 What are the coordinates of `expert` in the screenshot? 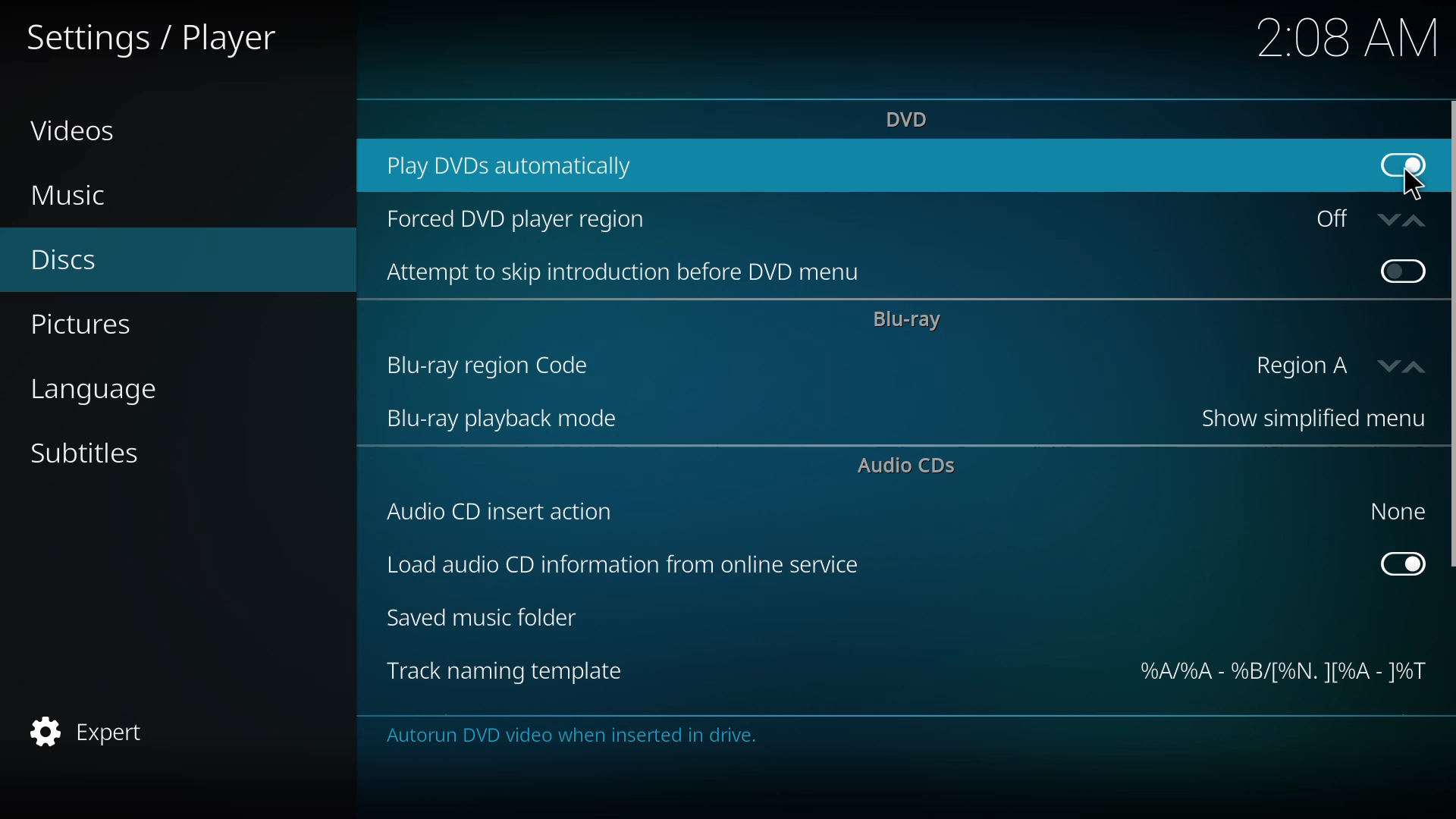 It's located at (92, 731).